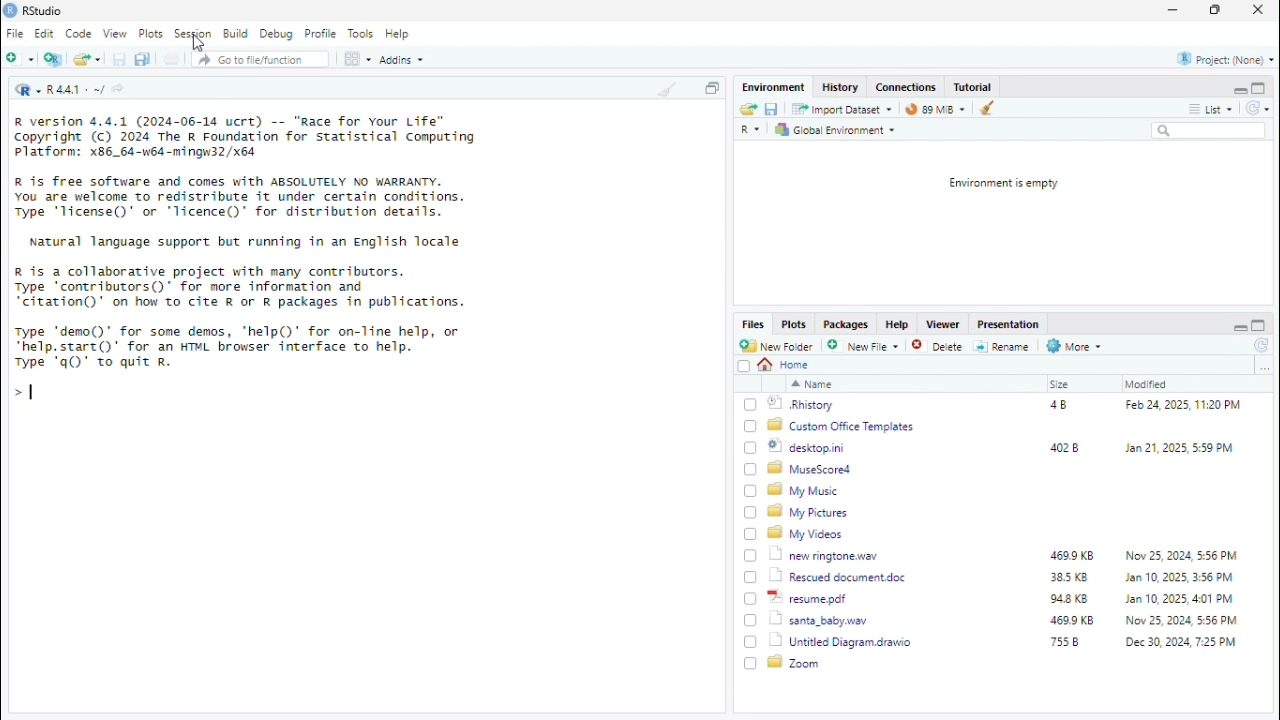 The image size is (1280, 720). I want to click on clean, so click(990, 107).